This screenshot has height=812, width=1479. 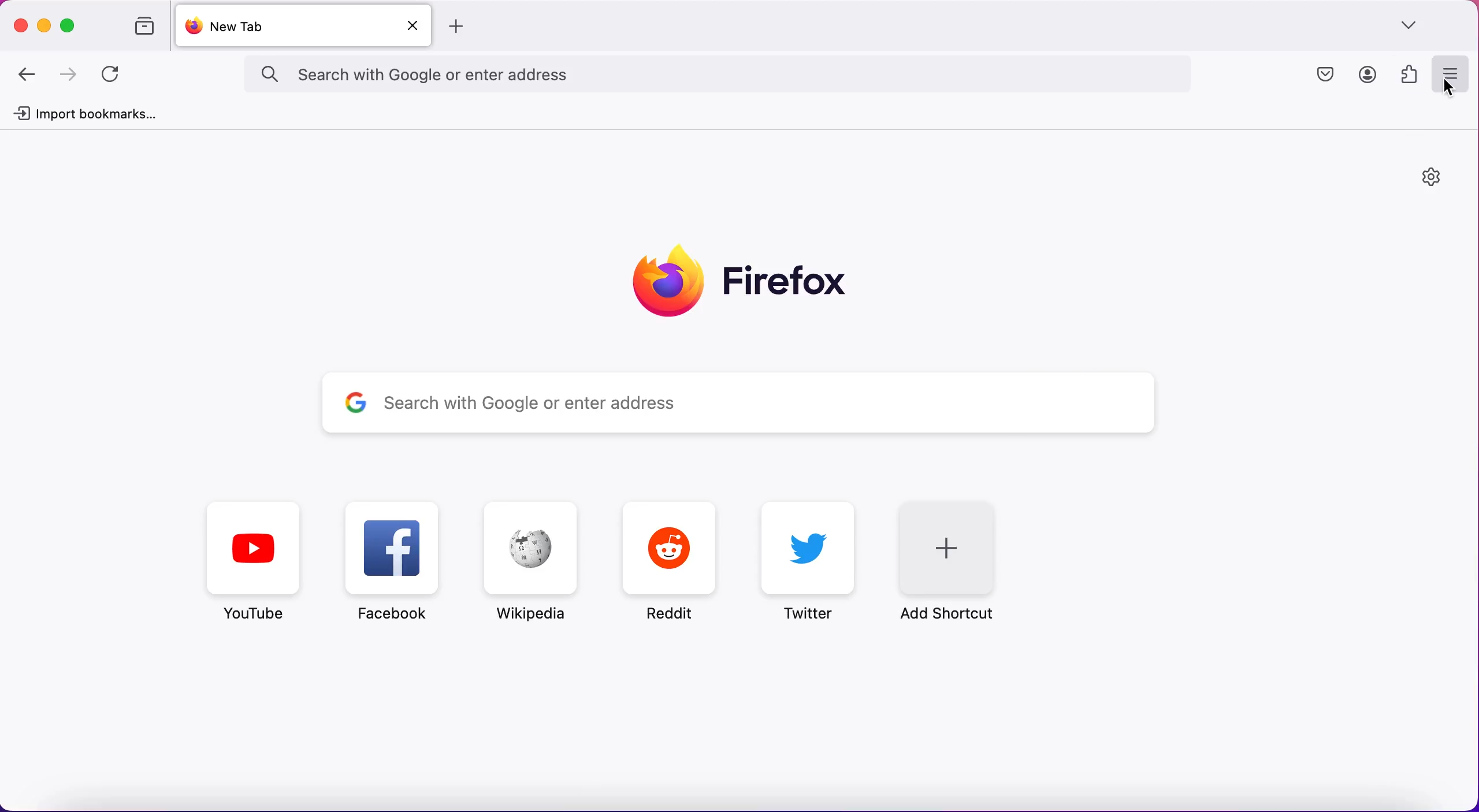 I want to click on view recent browsing across windows and devices, so click(x=139, y=27).